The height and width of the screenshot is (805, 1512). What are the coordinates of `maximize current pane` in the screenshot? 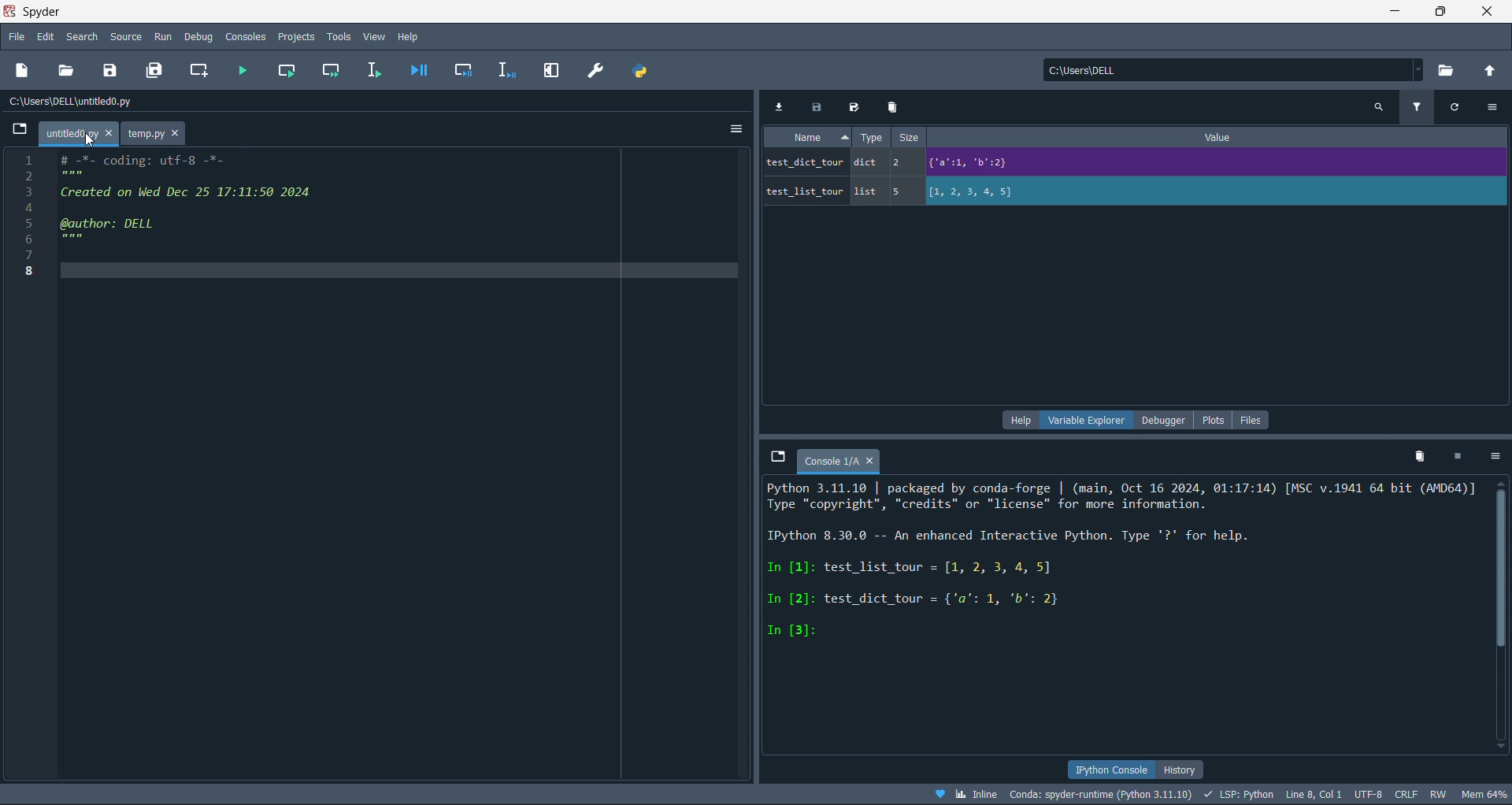 It's located at (552, 71).